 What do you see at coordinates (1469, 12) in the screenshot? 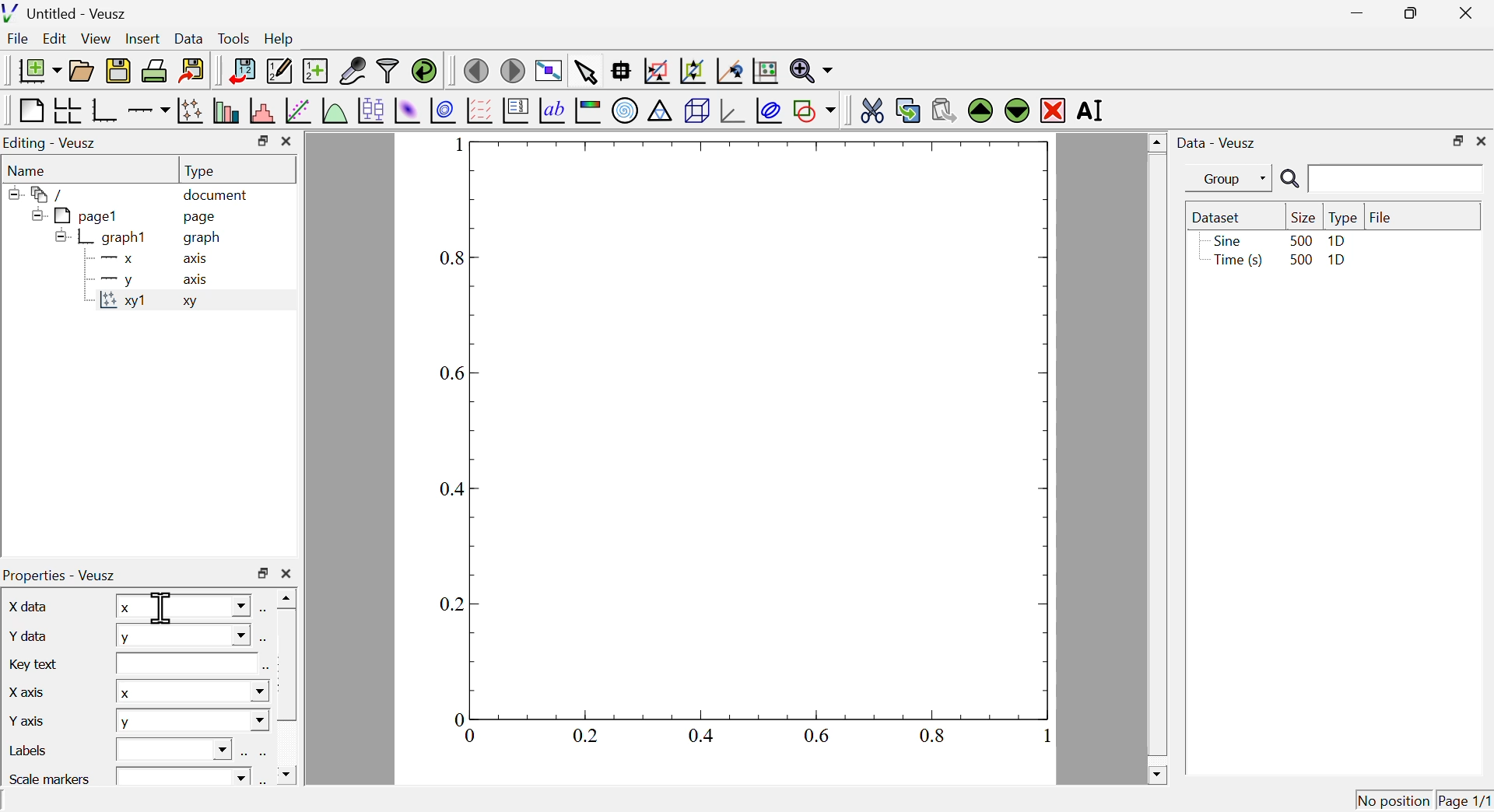
I see `close` at bounding box center [1469, 12].